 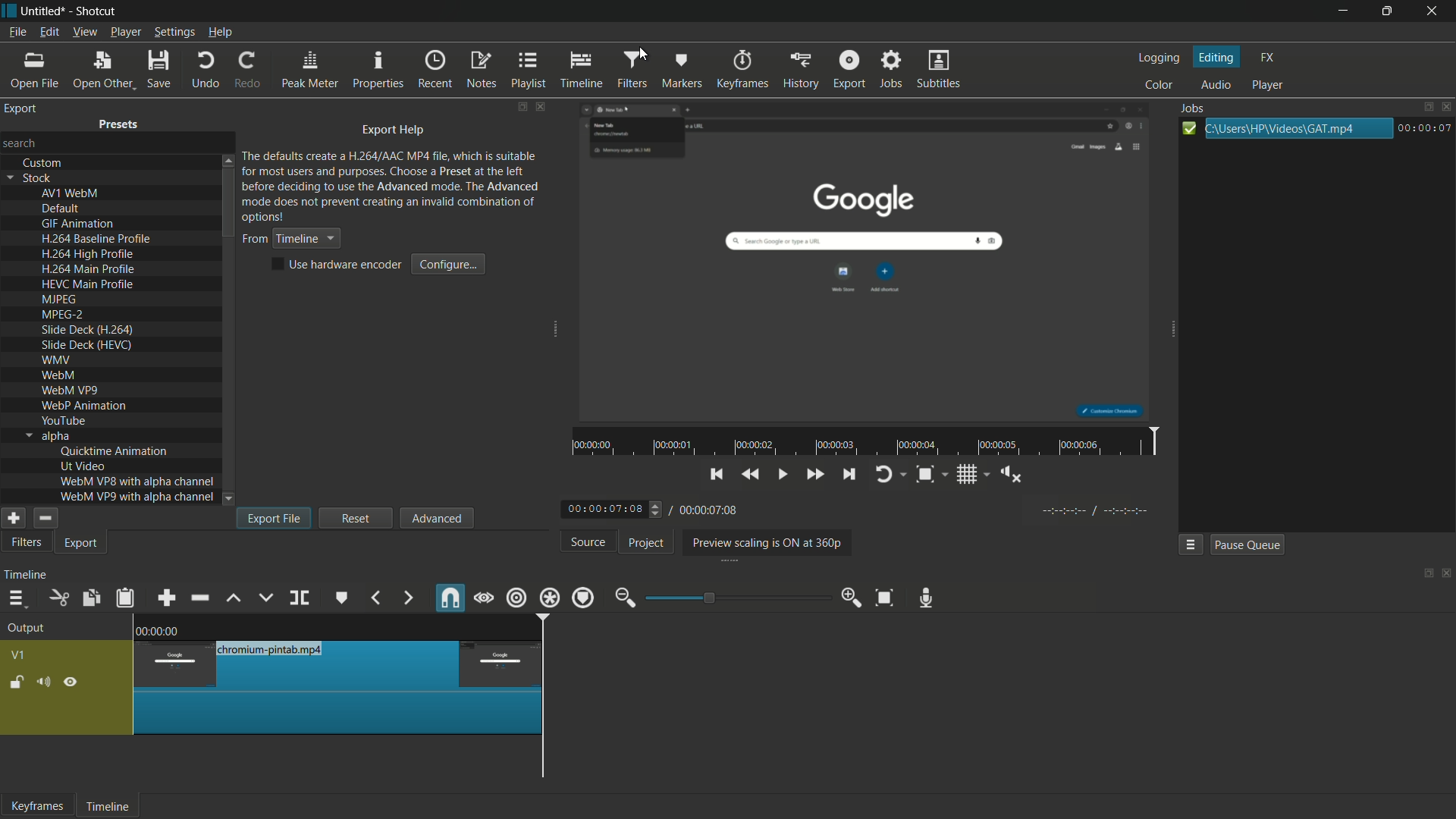 What do you see at coordinates (1286, 130) in the screenshot?
I see `progress bar` at bounding box center [1286, 130].